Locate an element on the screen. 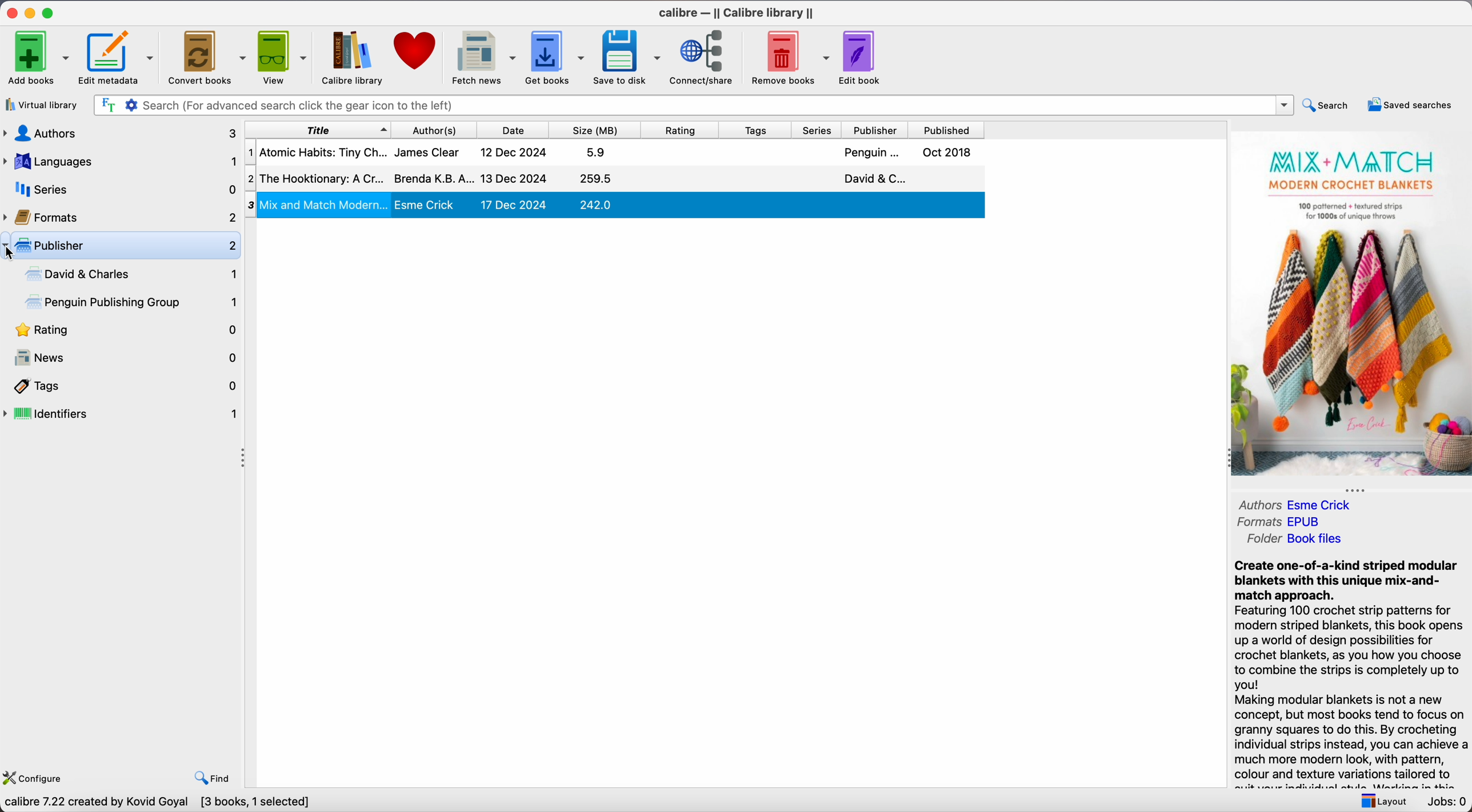 Image resolution: width=1472 pixels, height=812 pixels. virtual library is located at coordinates (44, 105).